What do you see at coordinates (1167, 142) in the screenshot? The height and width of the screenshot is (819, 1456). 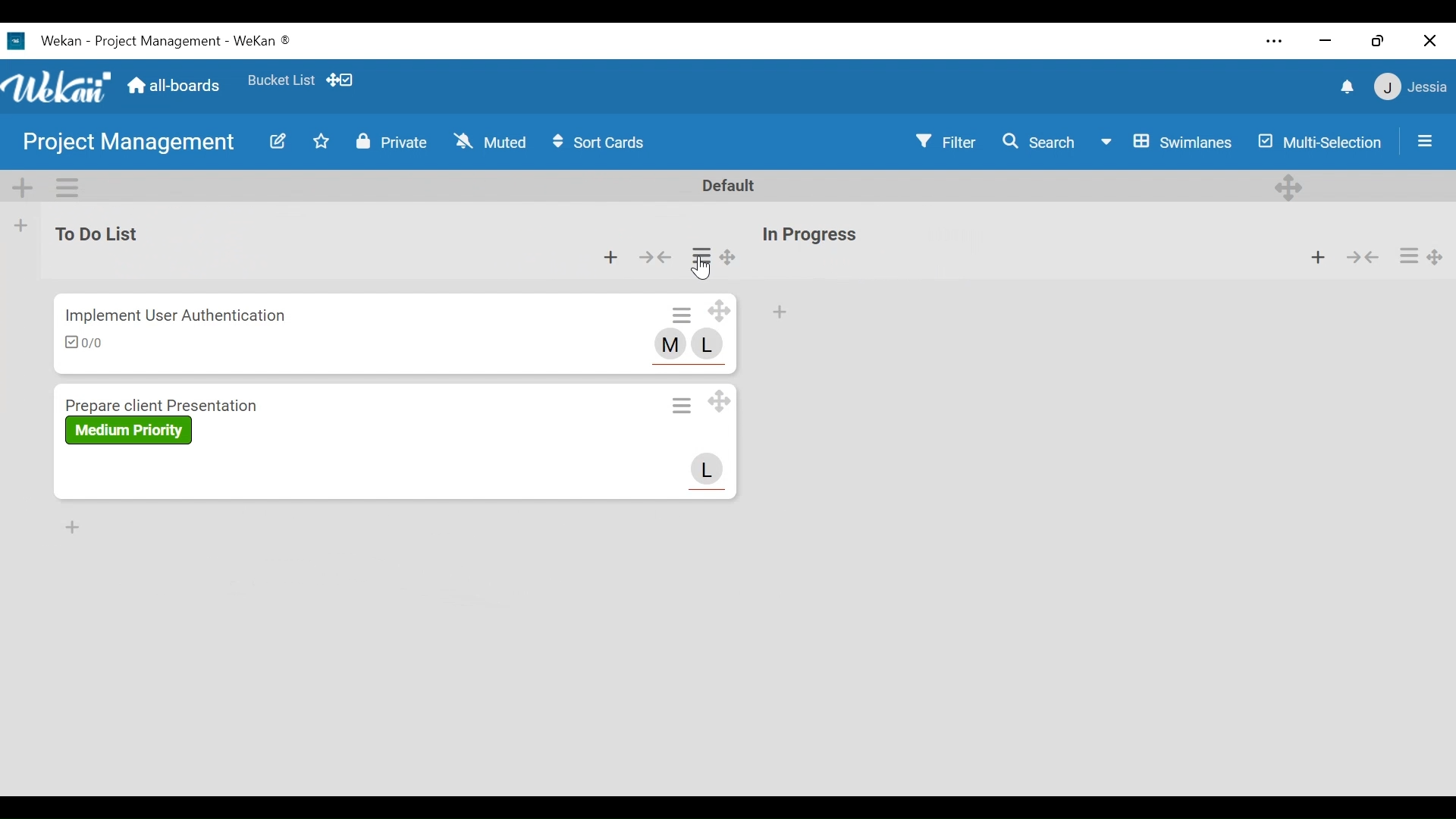 I see `Board View` at bounding box center [1167, 142].